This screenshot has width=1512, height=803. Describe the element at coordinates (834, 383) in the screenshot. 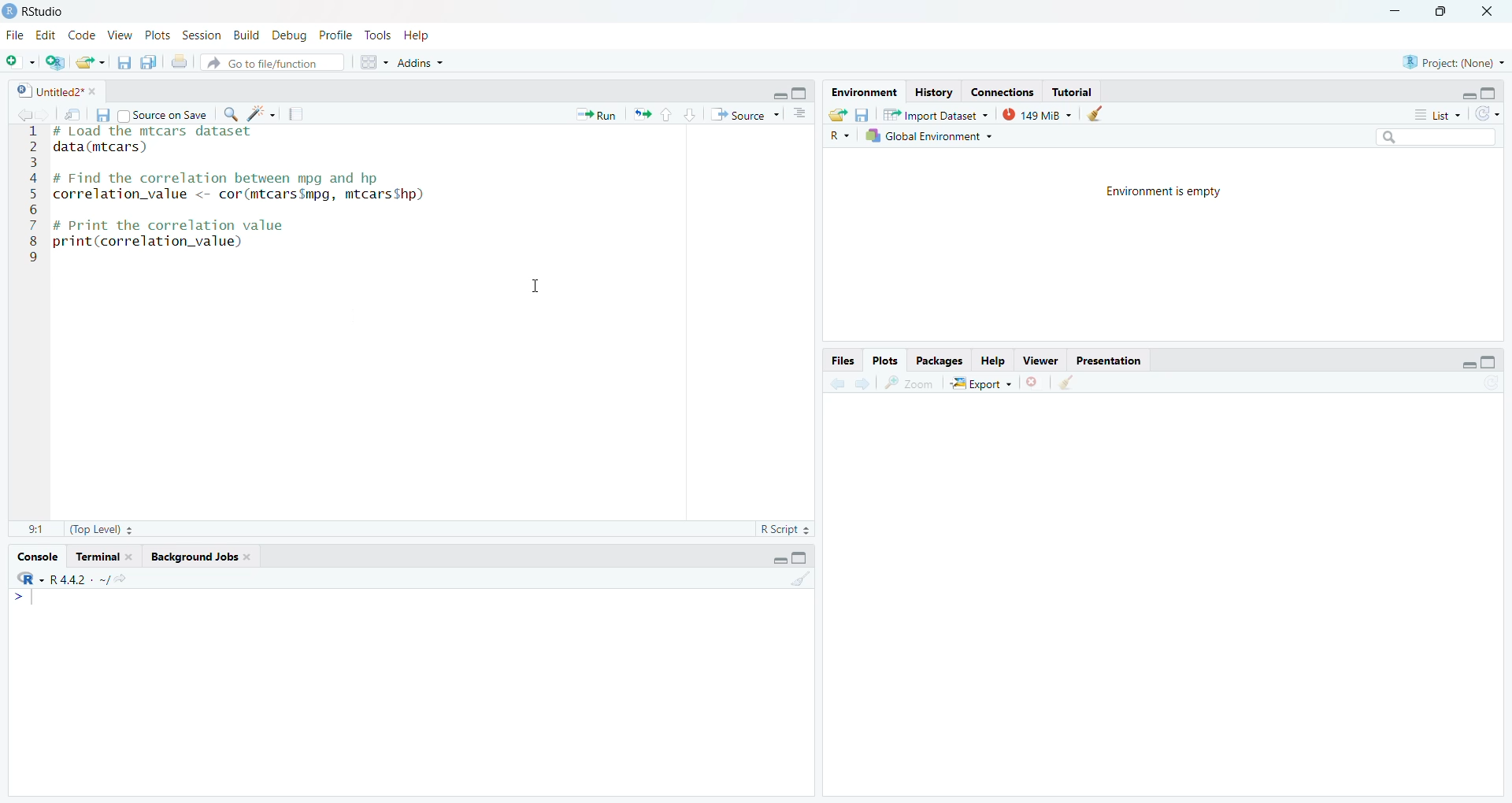

I see `Go back to the previous source location (Ctrl + F9)` at that location.